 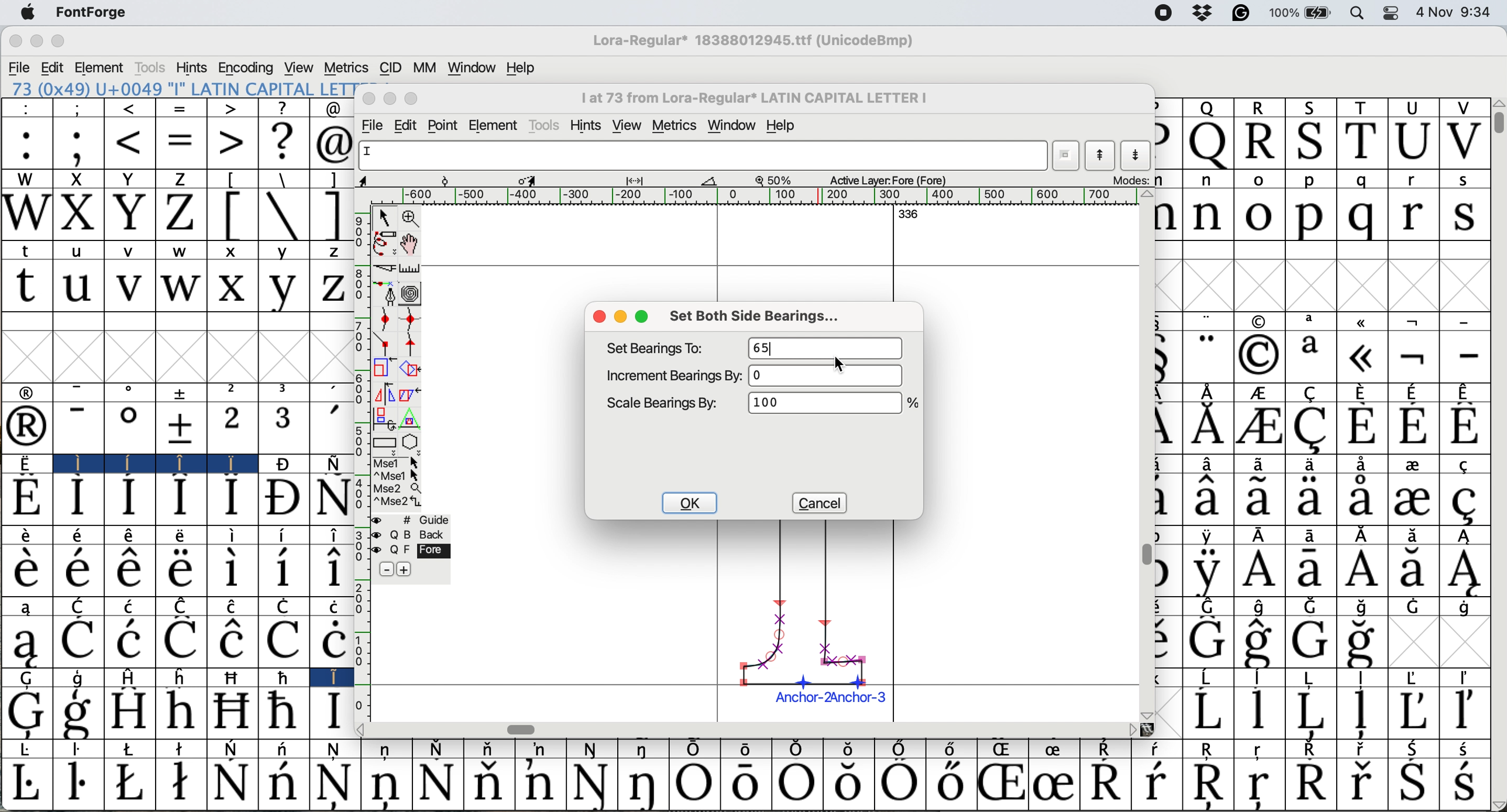 I want to click on Symbol, so click(x=1415, y=535).